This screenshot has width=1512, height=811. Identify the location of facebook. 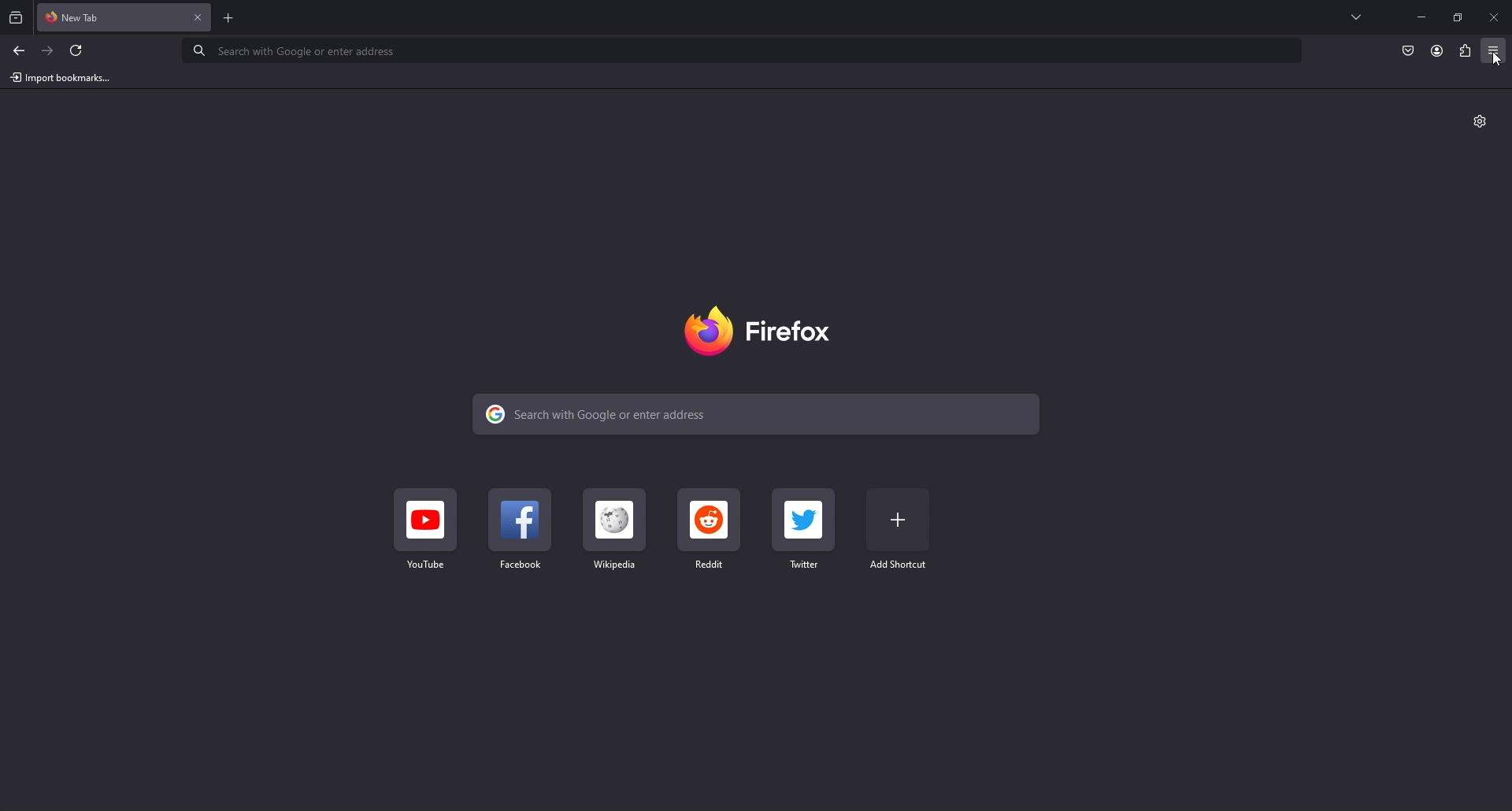
(520, 531).